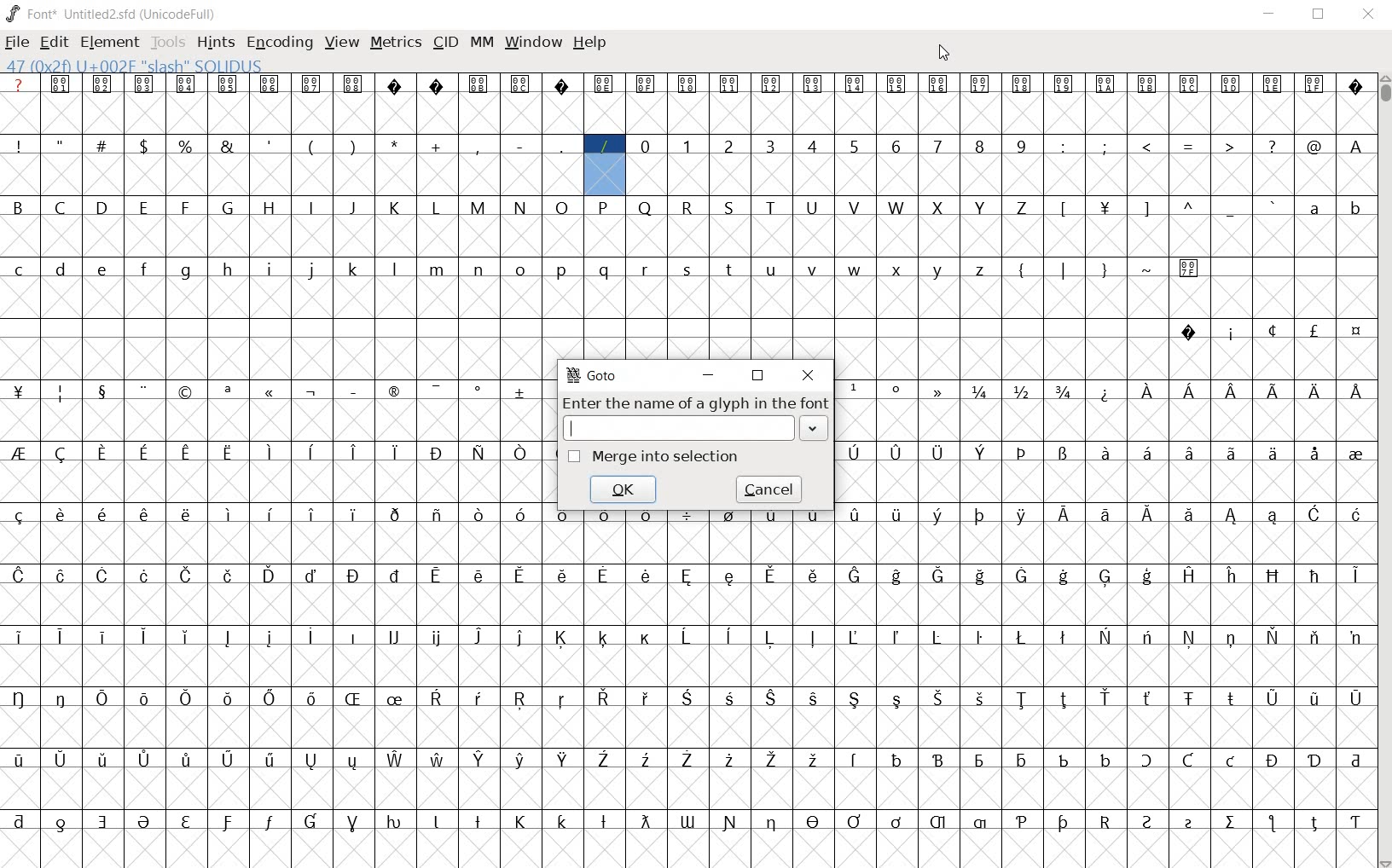 The image size is (1392, 868). Describe the element at coordinates (312, 393) in the screenshot. I see `glyph` at that location.